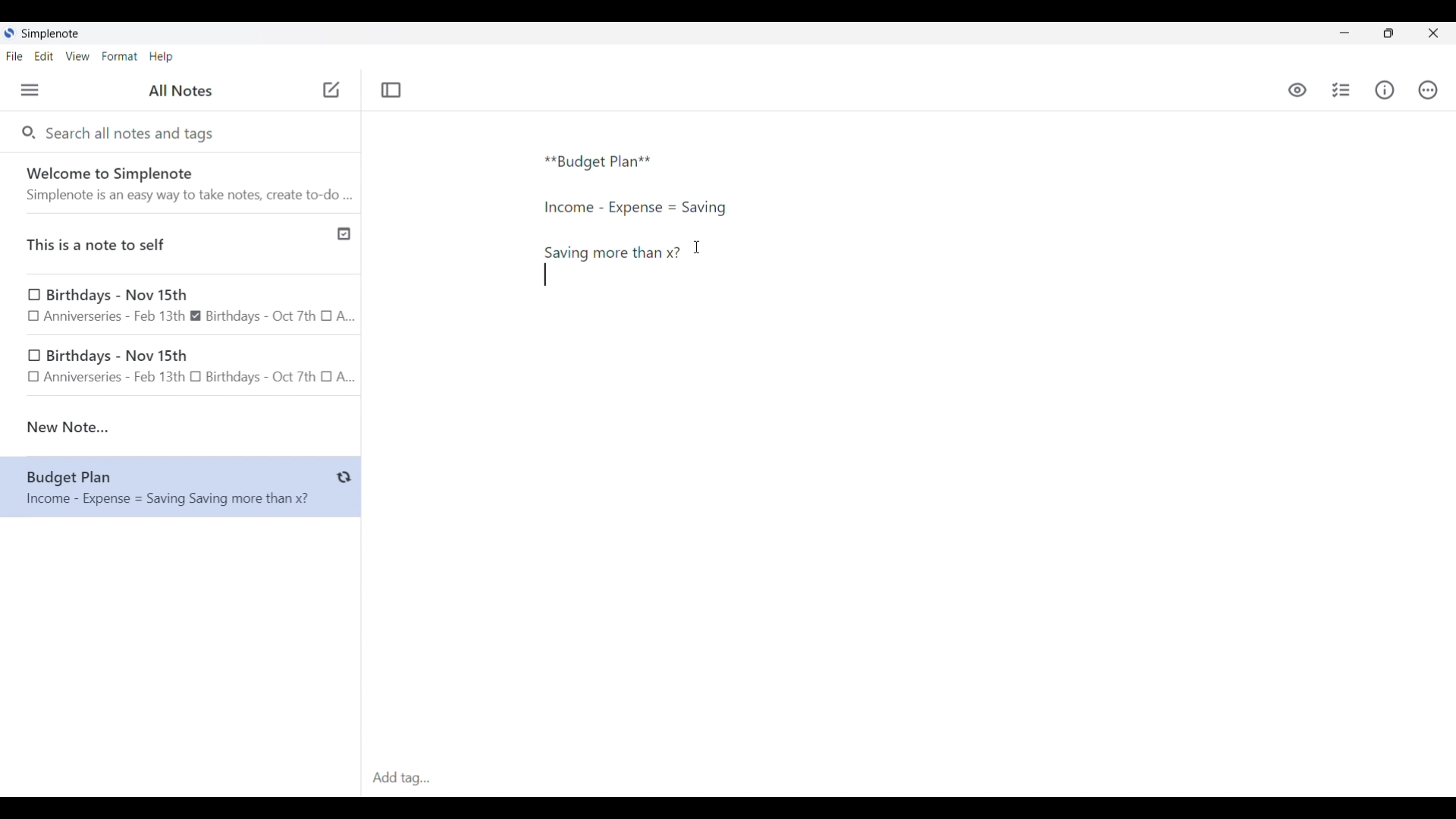  What do you see at coordinates (161, 56) in the screenshot?
I see `Help menu` at bounding box center [161, 56].